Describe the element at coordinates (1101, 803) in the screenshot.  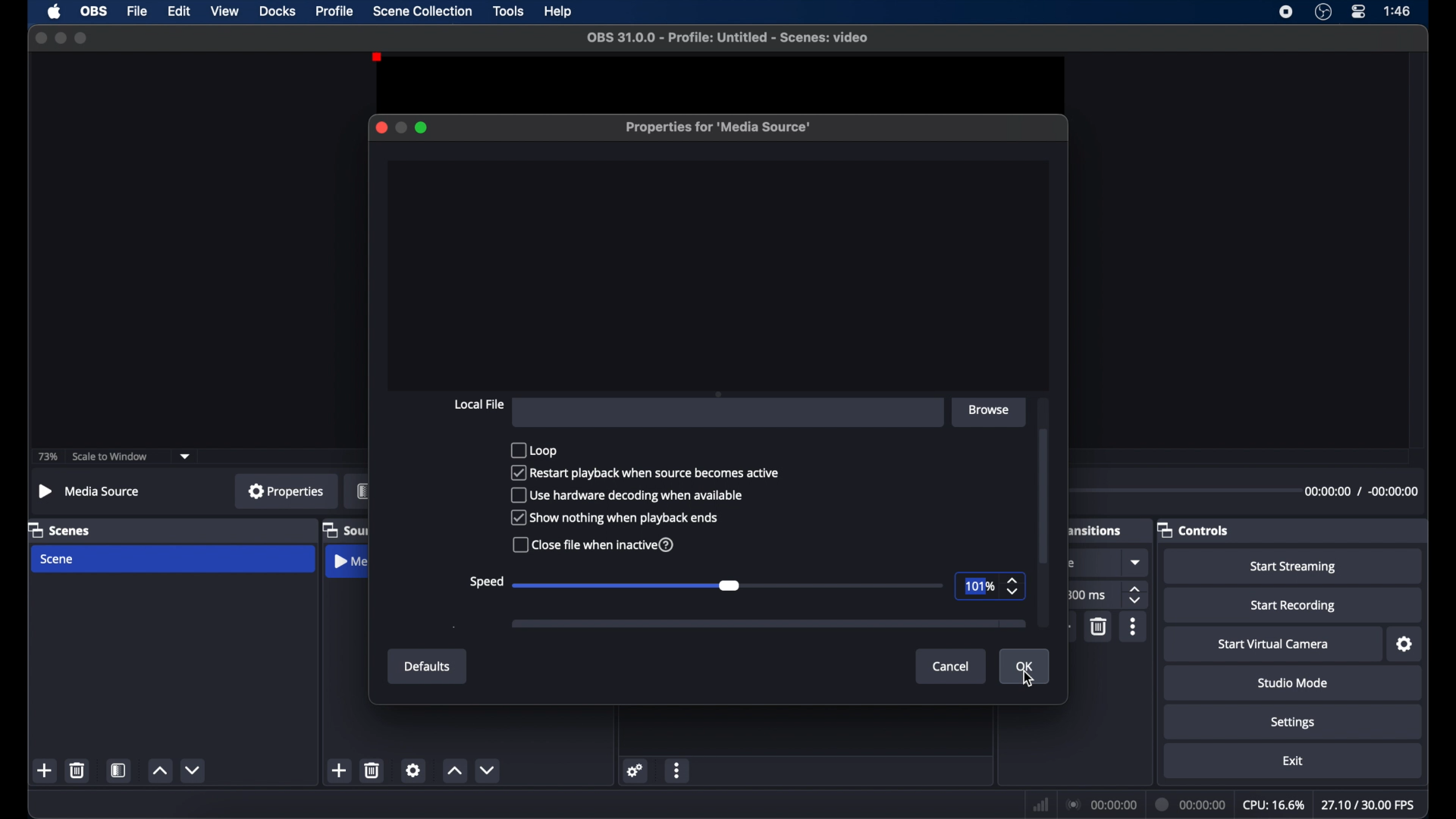
I see `connection` at that location.